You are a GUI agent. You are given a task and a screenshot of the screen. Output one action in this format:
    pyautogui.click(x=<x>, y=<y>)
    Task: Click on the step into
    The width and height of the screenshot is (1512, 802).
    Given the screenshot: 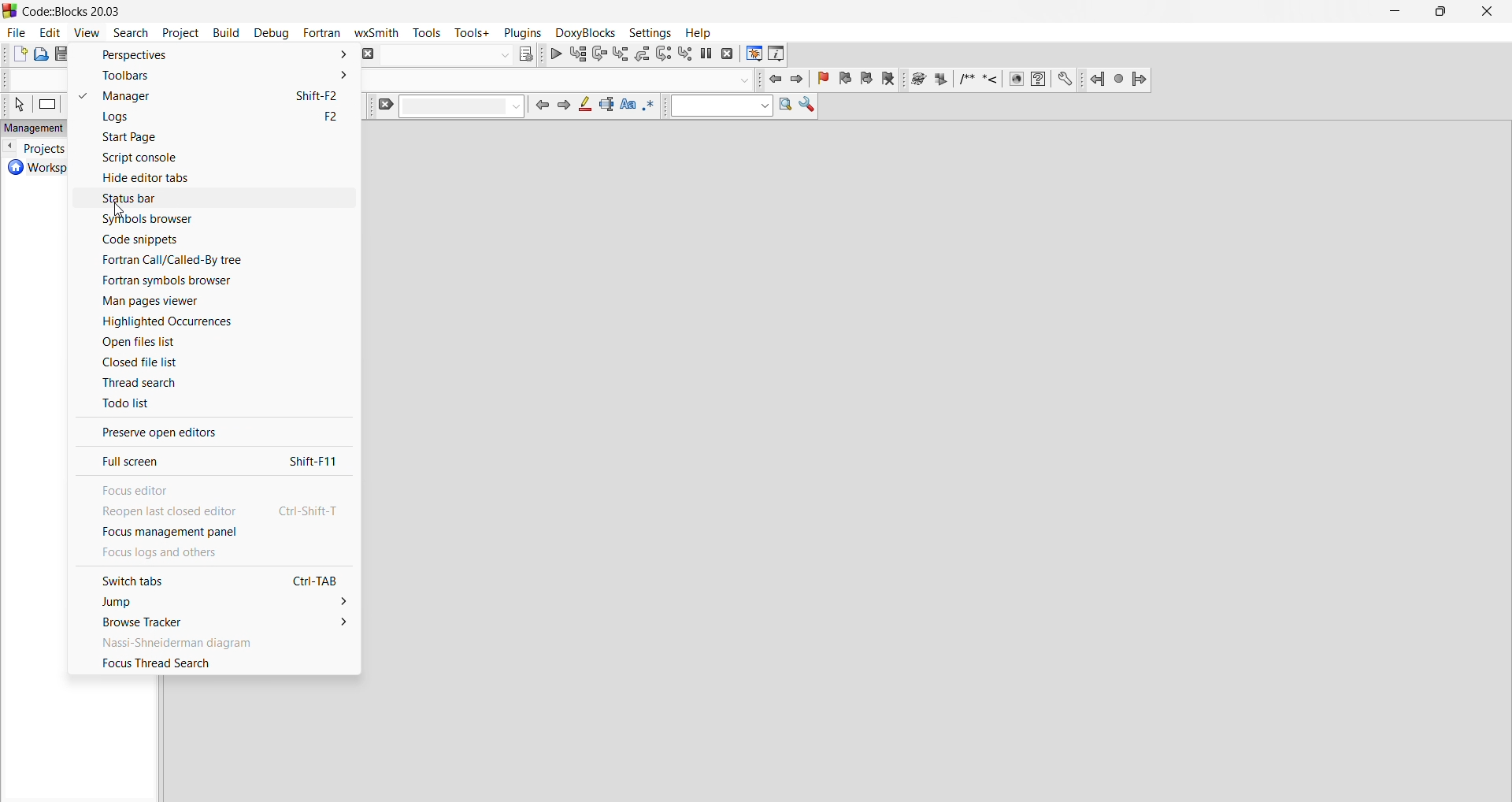 What is the action you would take?
    pyautogui.click(x=622, y=54)
    